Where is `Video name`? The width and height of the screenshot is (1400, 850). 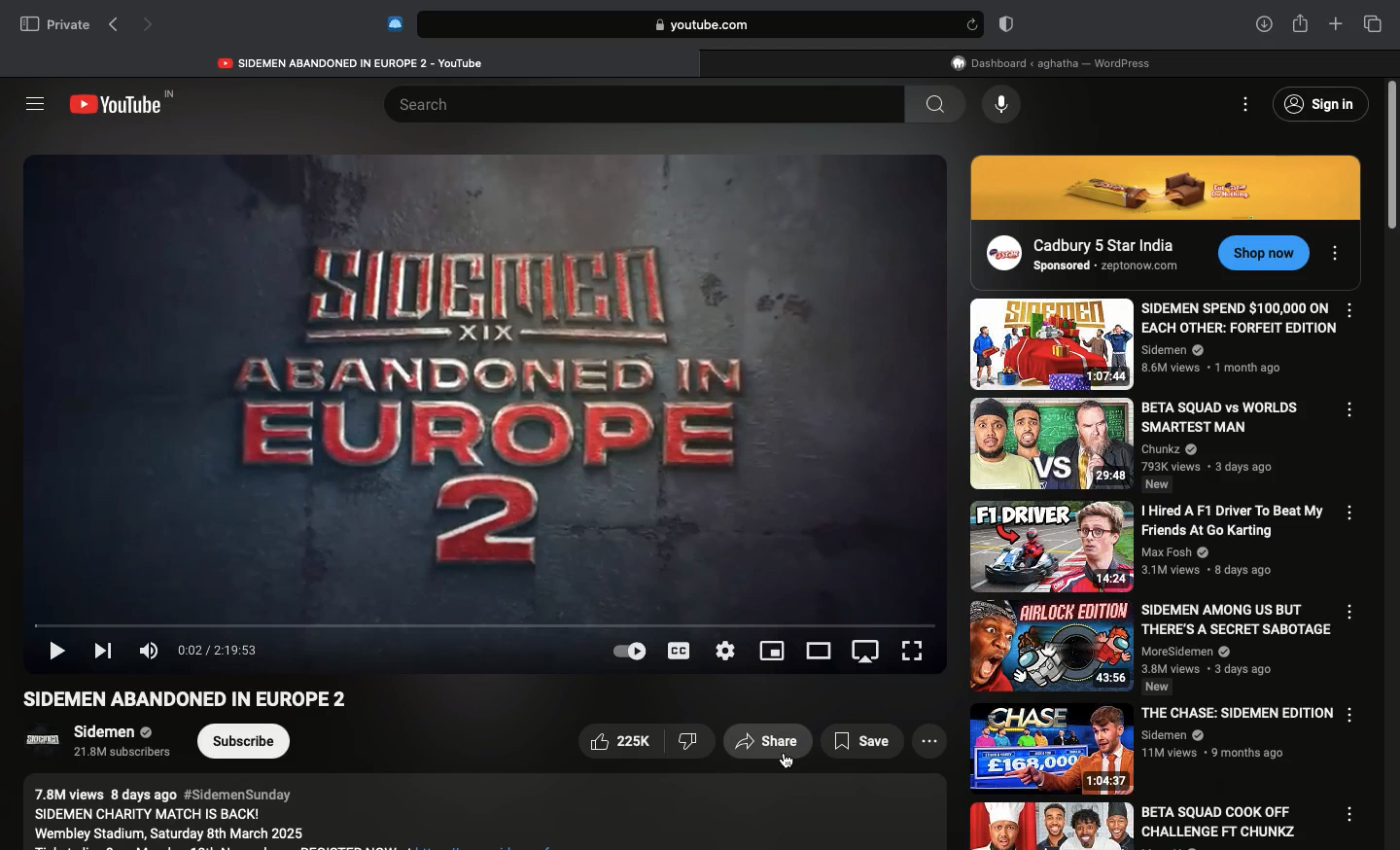
Video name is located at coordinates (205, 700).